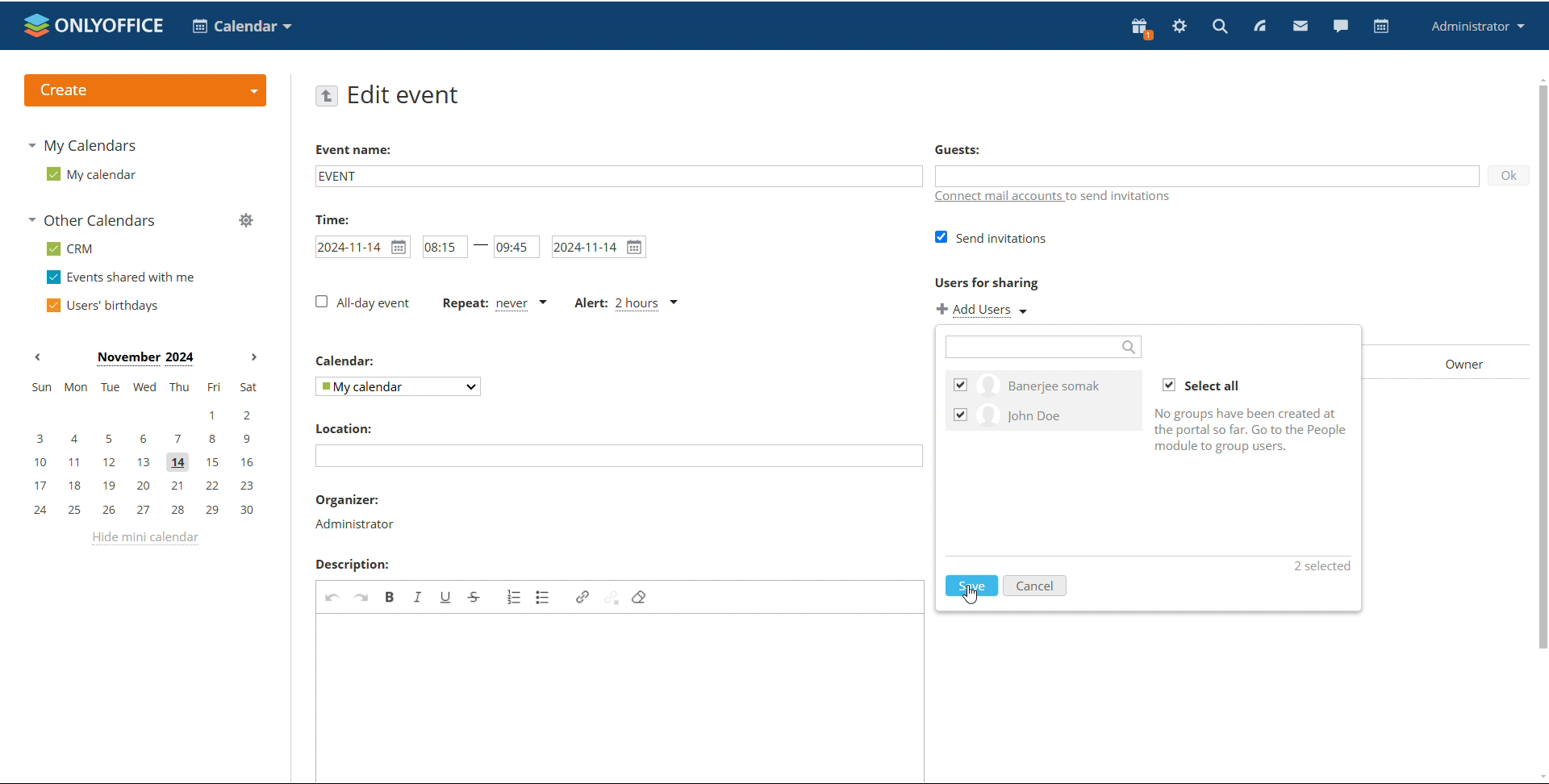 This screenshot has height=784, width=1549. Describe the element at coordinates (612, 598) in the screenshot. I see `unlink` at that location.